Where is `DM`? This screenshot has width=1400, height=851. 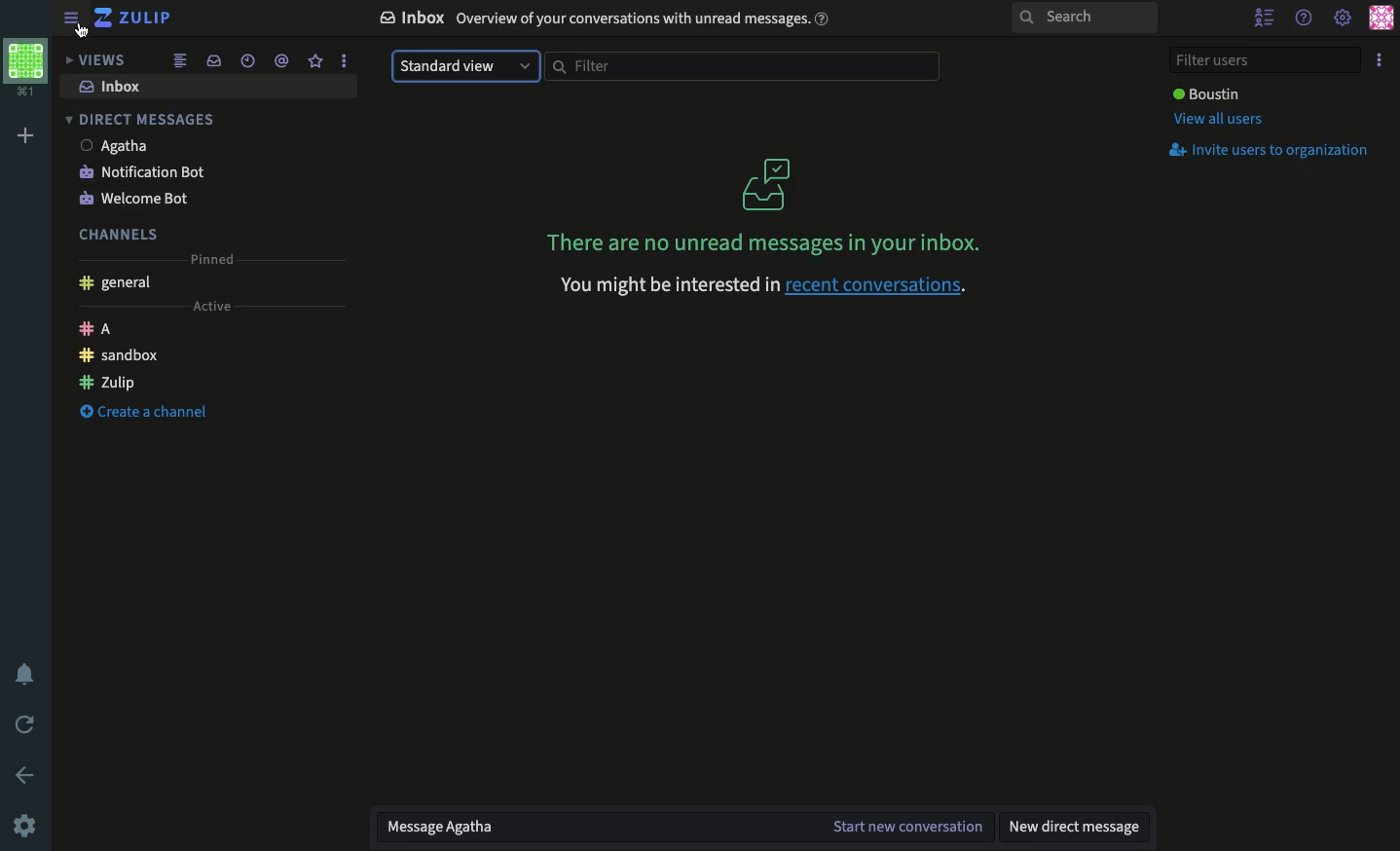
DM is located at coordinates (142, 120).